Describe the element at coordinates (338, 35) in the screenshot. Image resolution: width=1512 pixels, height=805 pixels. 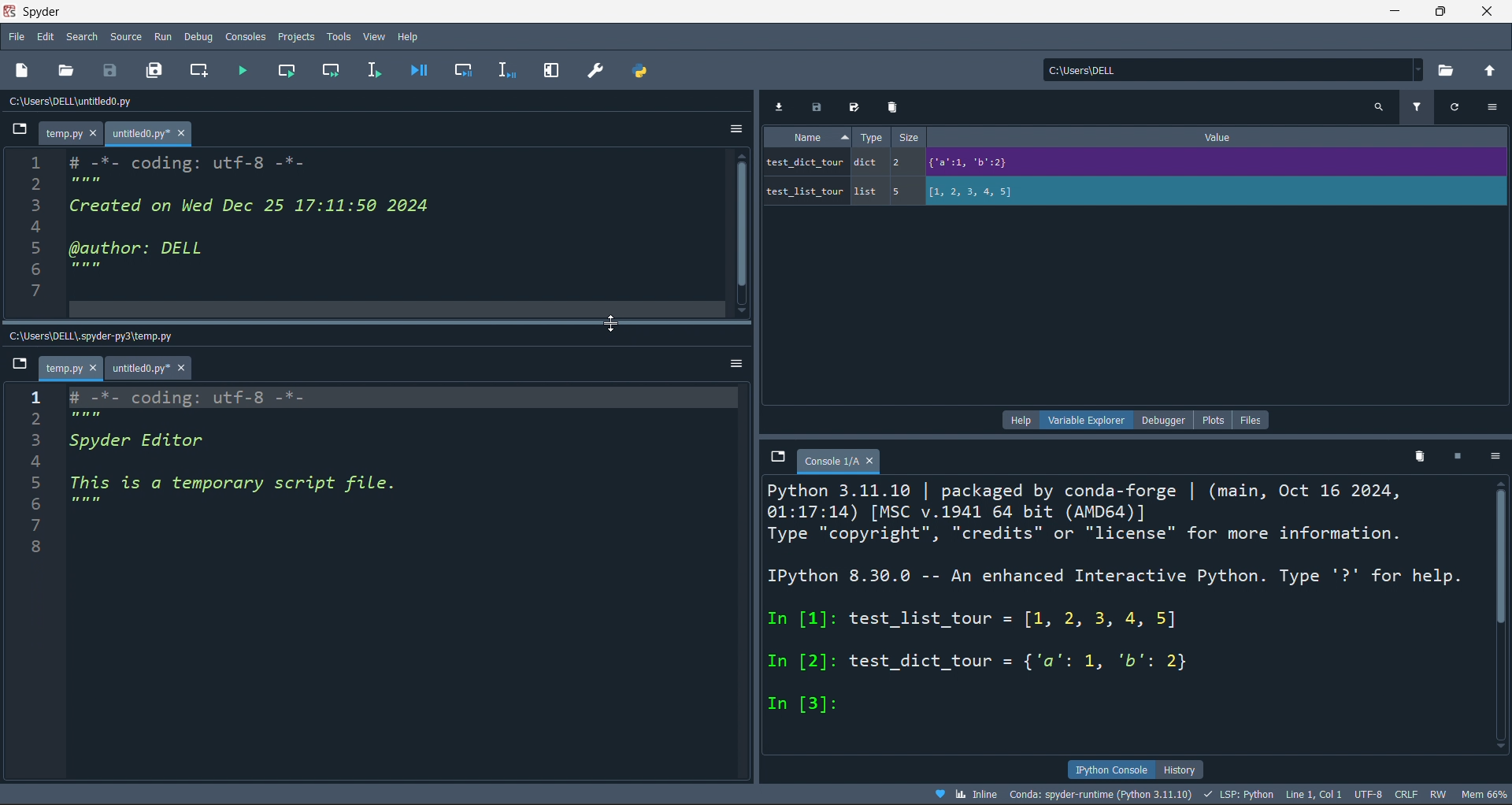
I see `tools` at that location.